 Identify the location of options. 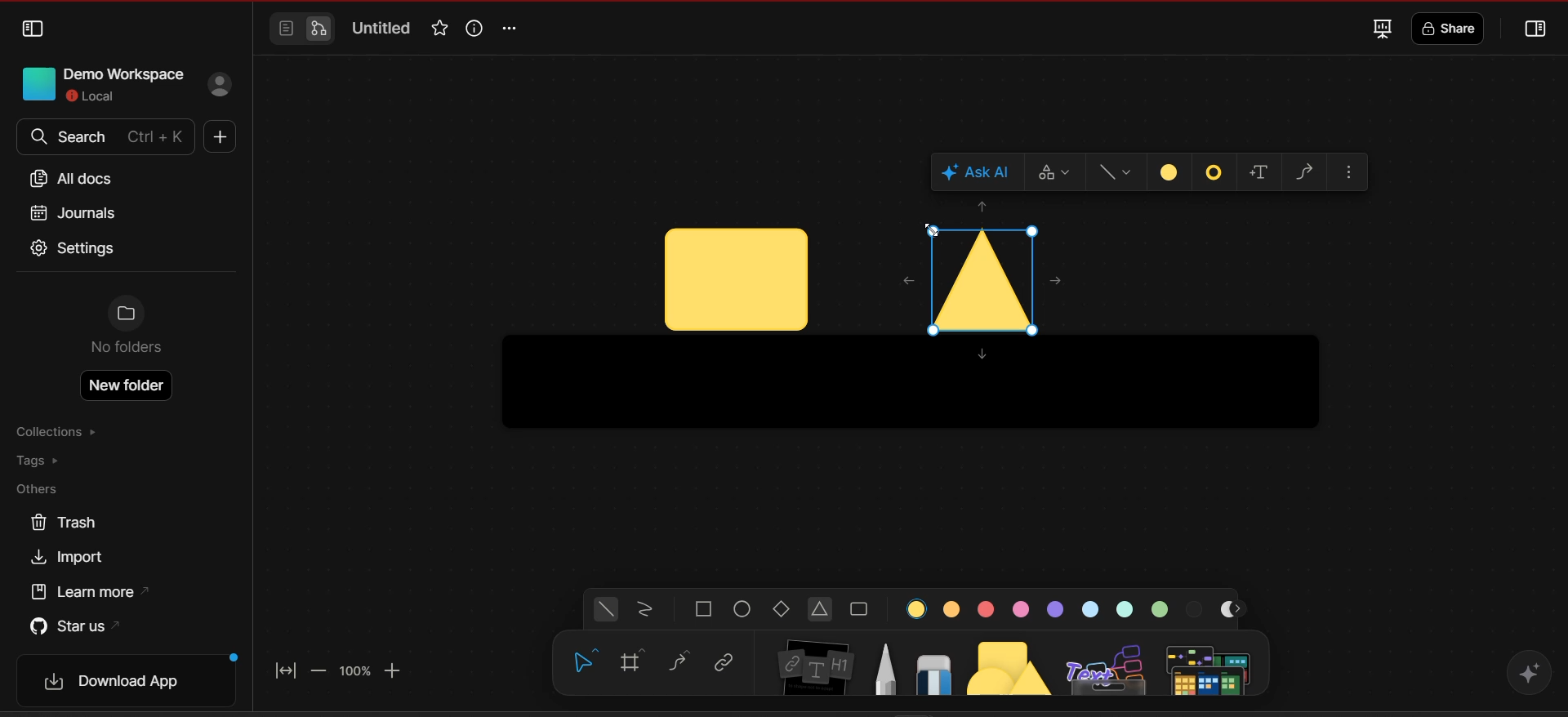
(514, 29).